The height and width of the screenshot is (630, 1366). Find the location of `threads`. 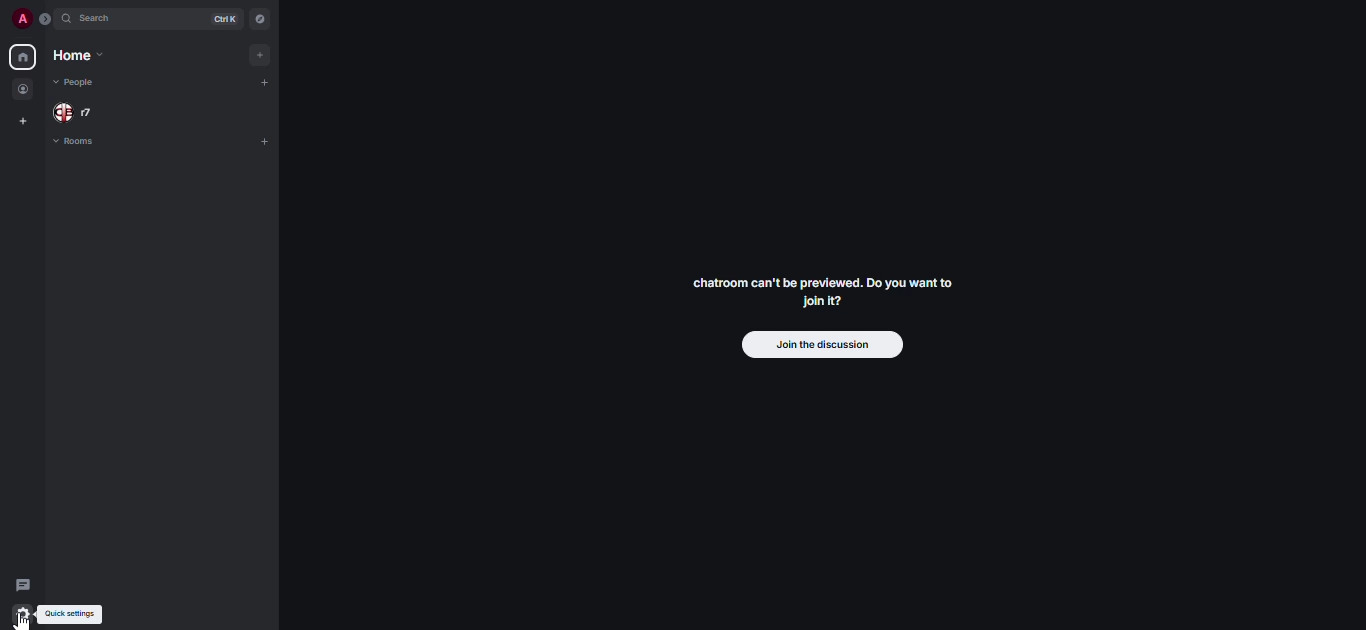

threads is located at coordinates (22, 585).